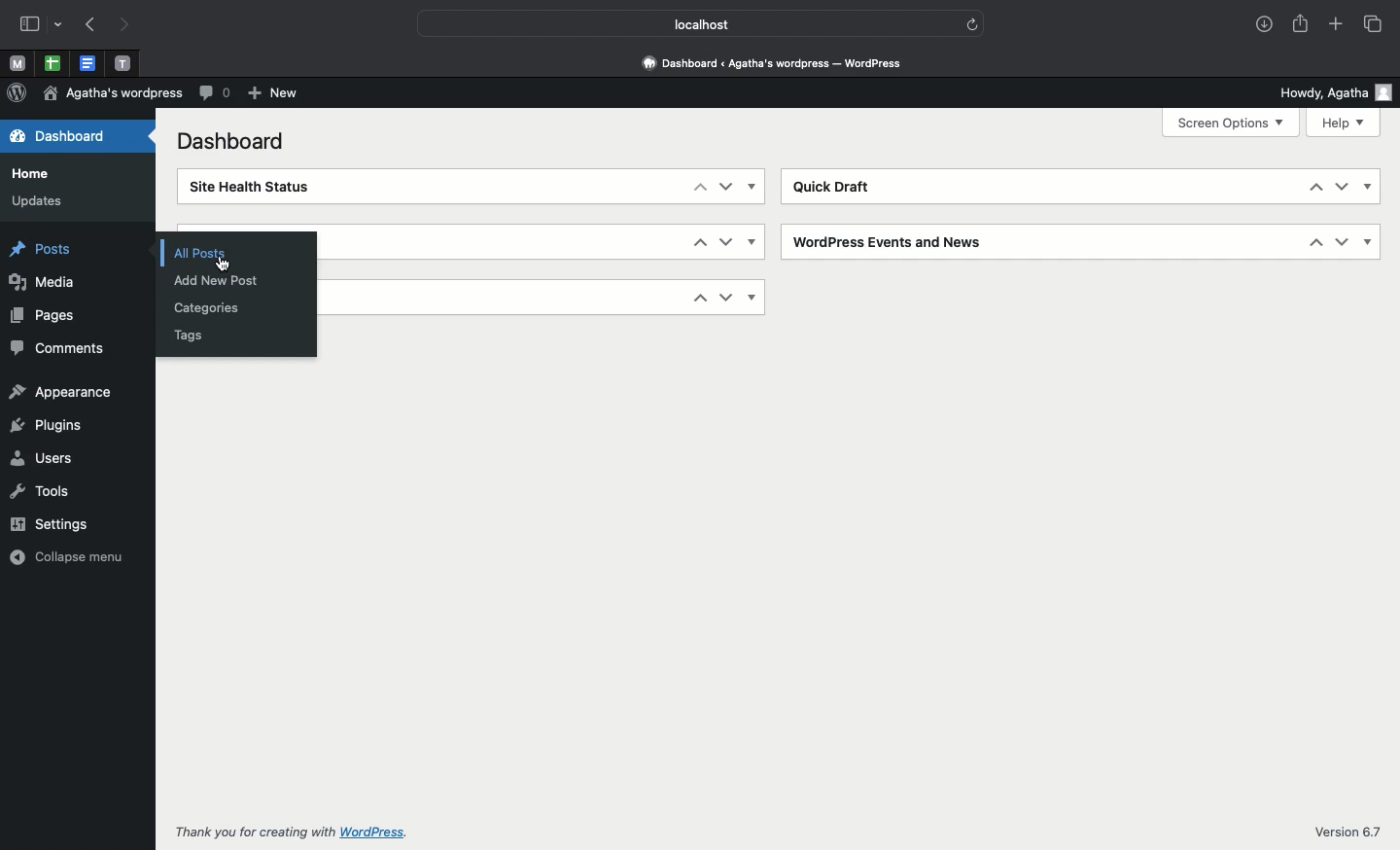 The width and height of the screenshot is (1400, 850). What do you see at coordinates (87, 23) in the screenshot?
I see `Previous page` at bounding box center [87, 23].